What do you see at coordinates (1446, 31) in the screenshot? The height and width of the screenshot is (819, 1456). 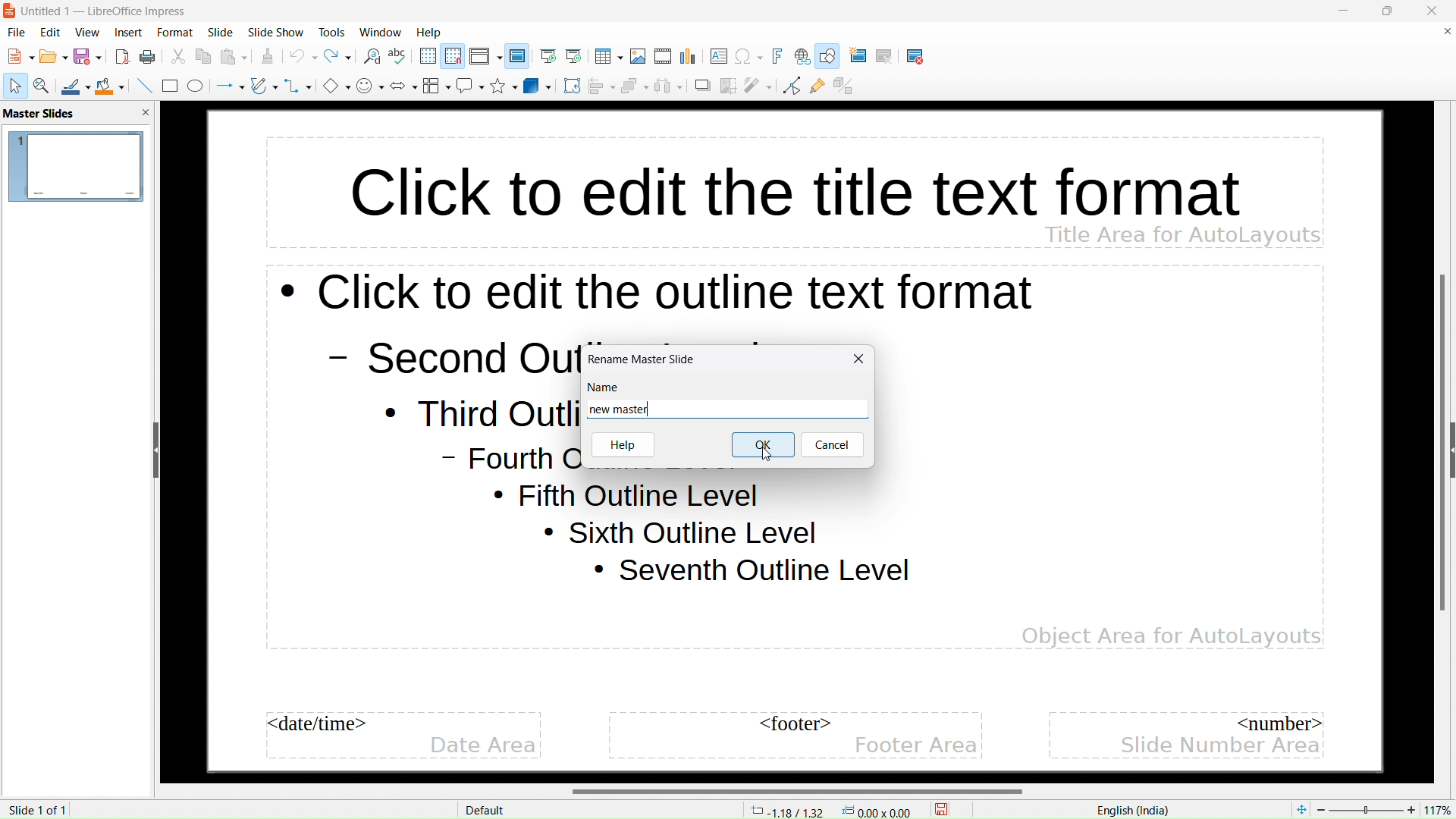 I see `close document` at bounding box center [1446, 31].